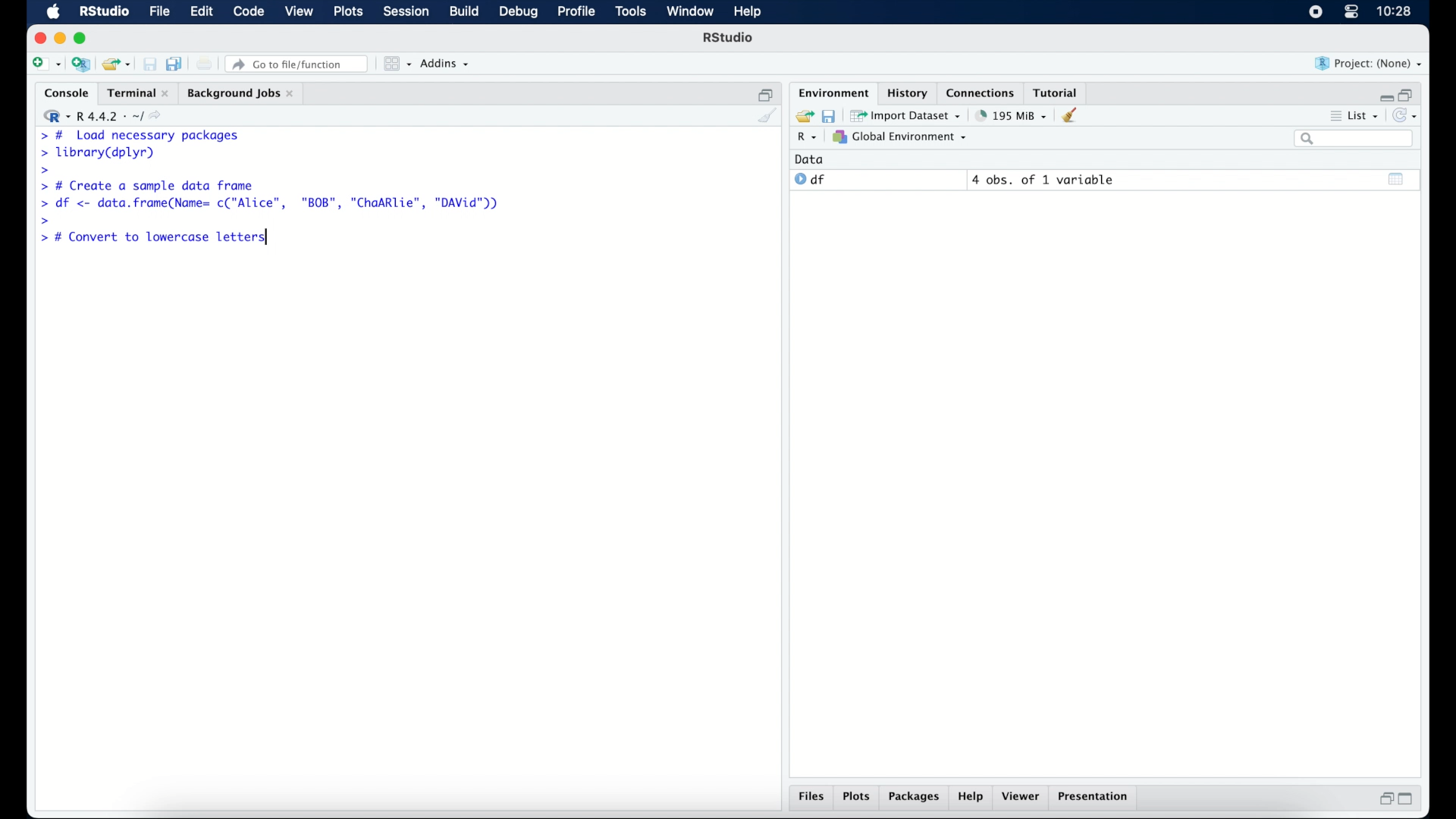  What do you see at coordinates (106, 117) in the screenshot?
I see `R 4.4.2` at bounding box center [106, 117].